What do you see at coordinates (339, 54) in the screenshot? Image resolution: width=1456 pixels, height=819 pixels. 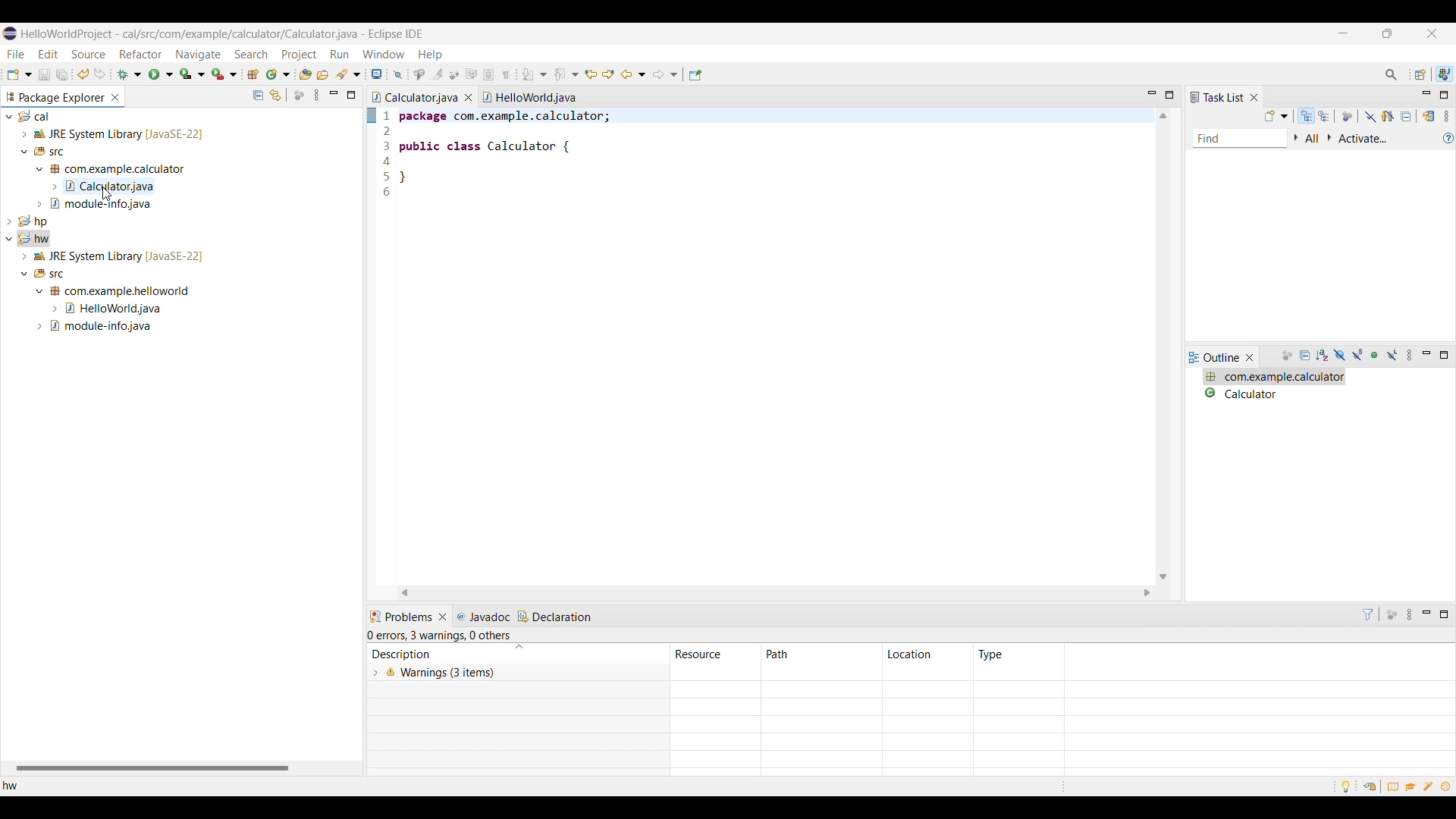 I see `Run` at bounding box center [339, 54].